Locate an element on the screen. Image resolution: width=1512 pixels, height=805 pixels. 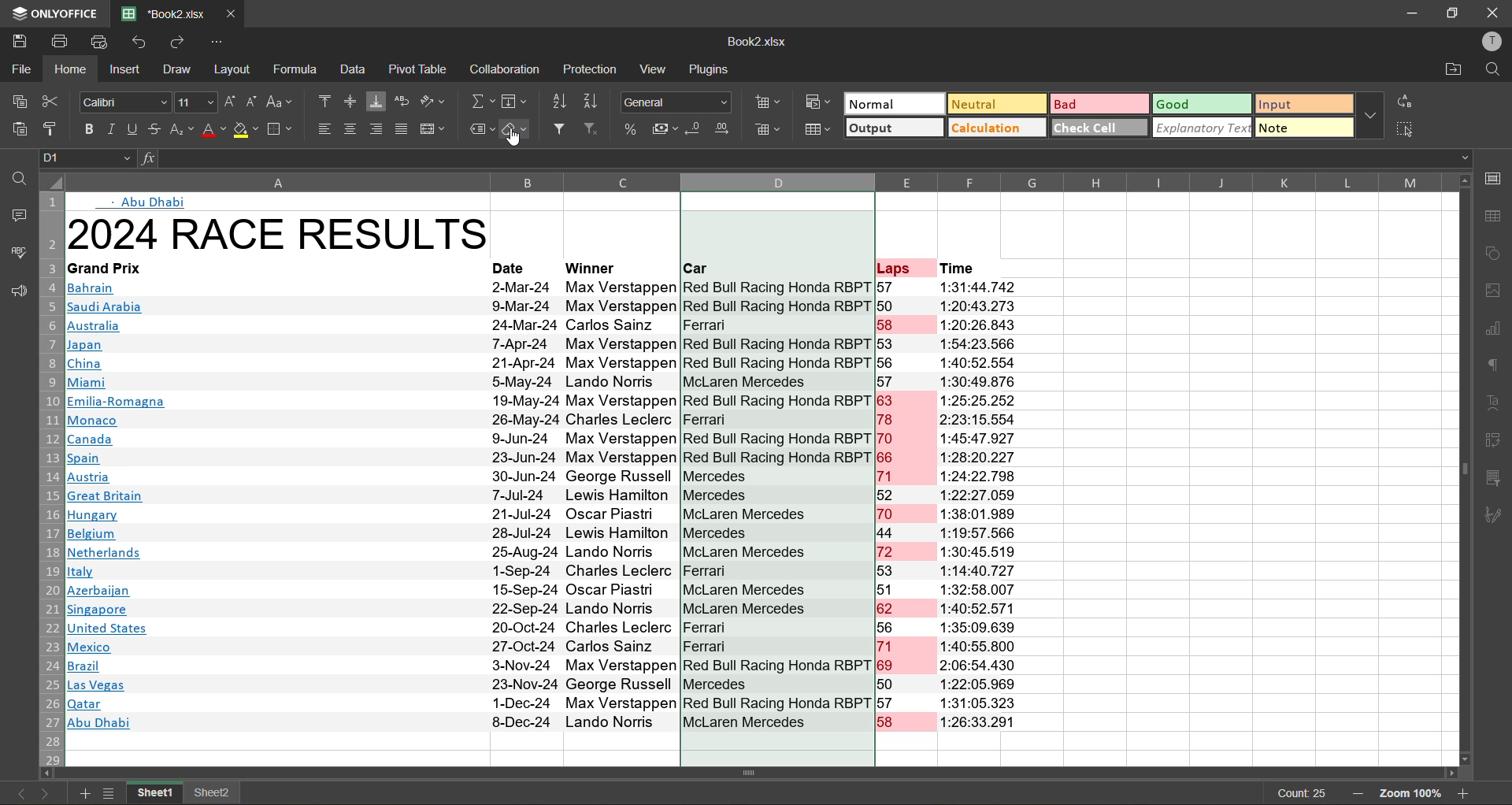
sheet list is located at coordinates (110, 795).